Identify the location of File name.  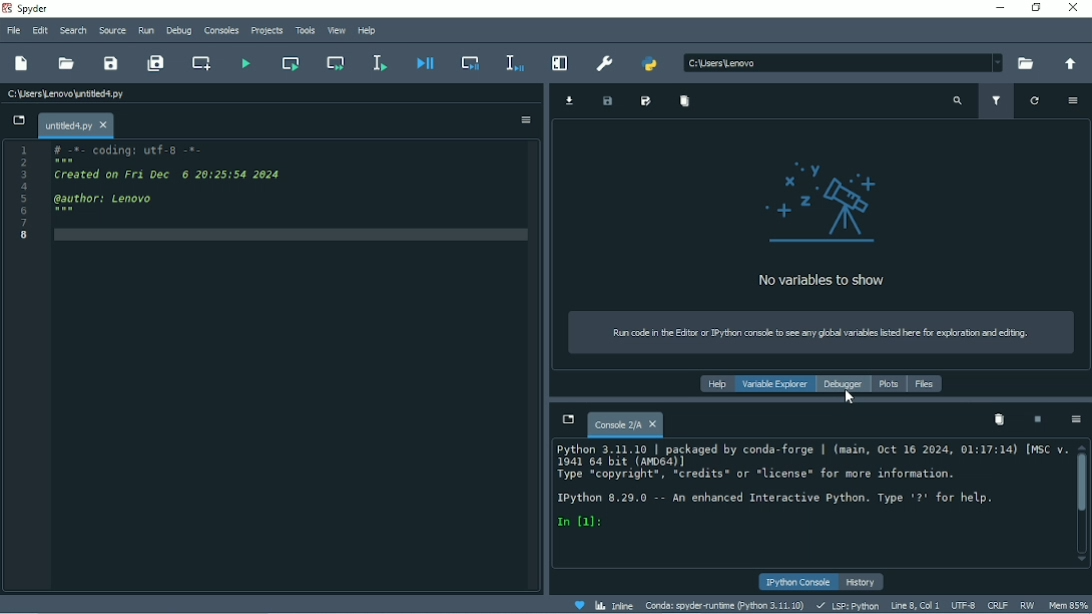
(75, 125).